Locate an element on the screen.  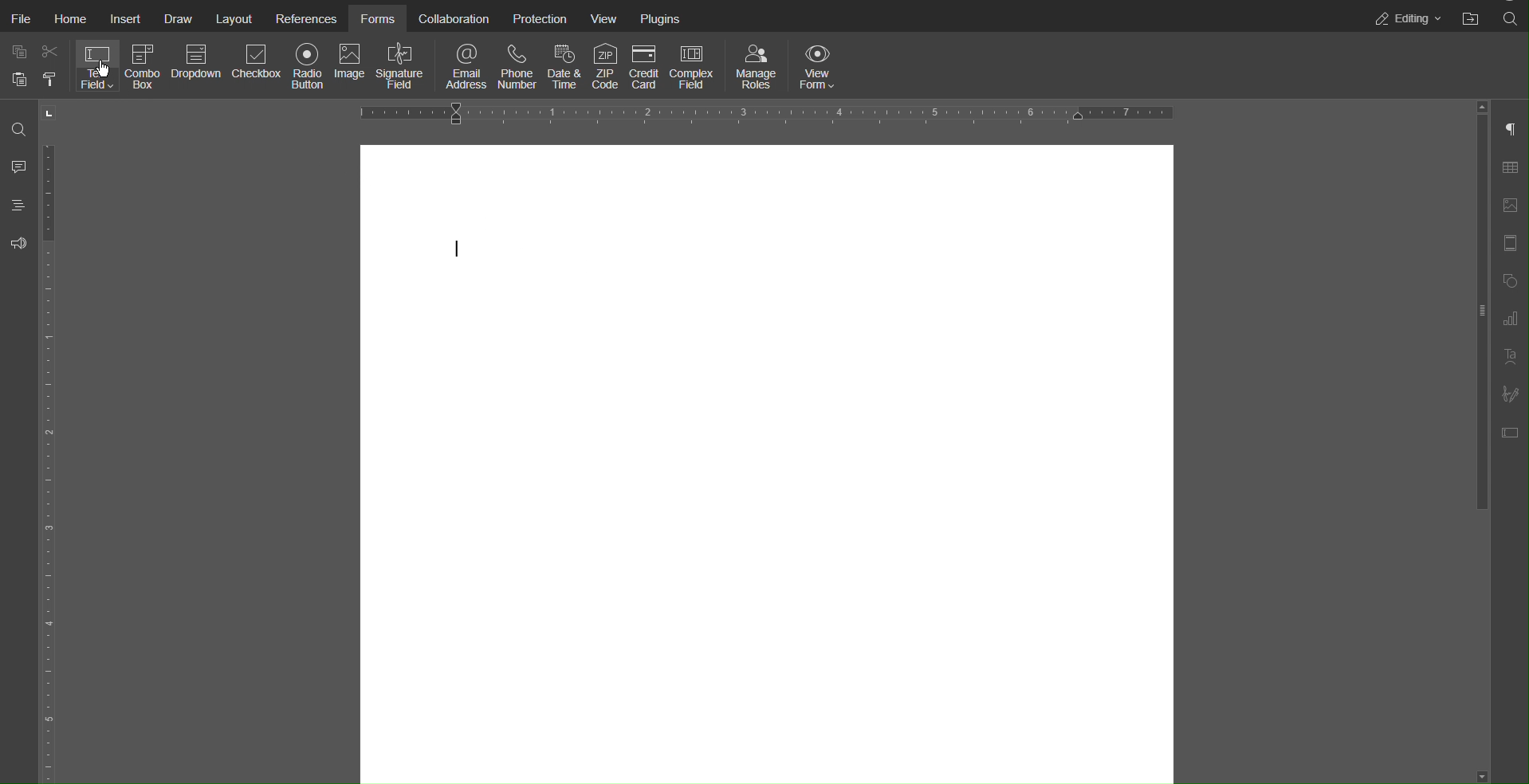
Search is located at coordinates (1510, 18).